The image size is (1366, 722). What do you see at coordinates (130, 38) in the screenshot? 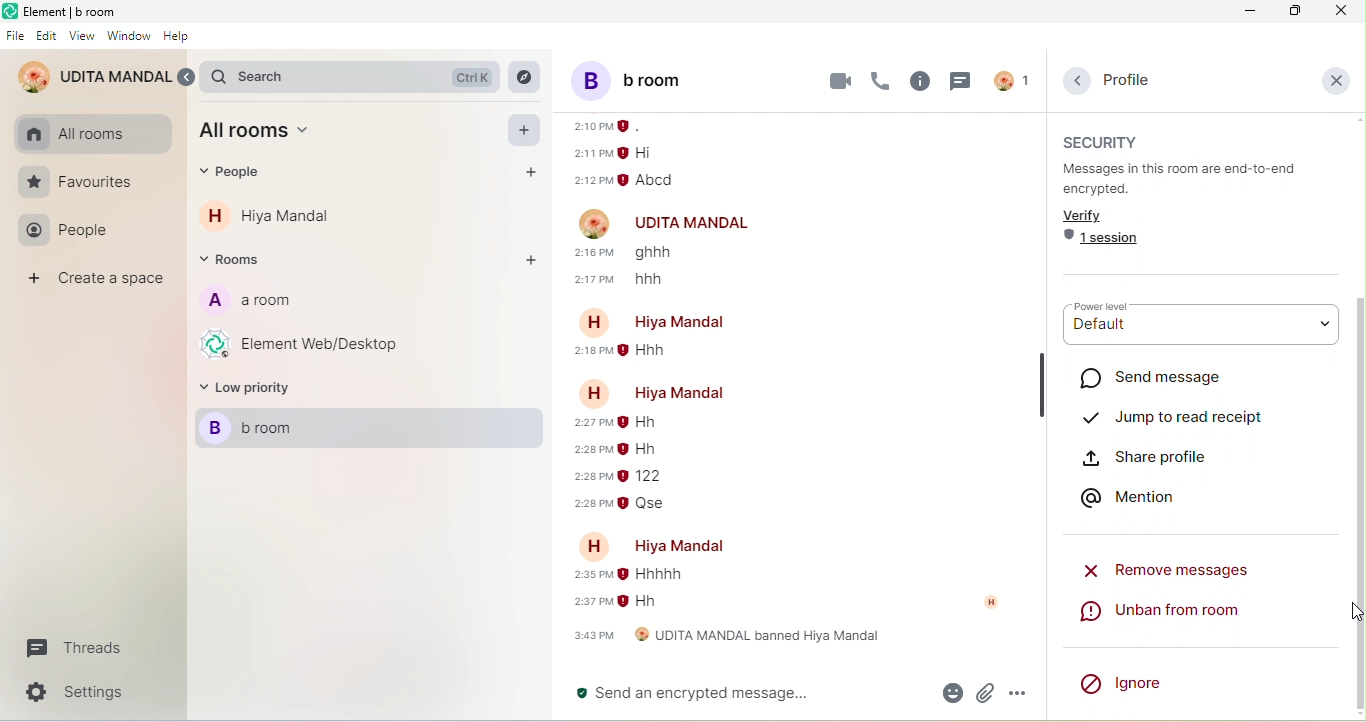
I see `window` at bounding box center [130, 38].